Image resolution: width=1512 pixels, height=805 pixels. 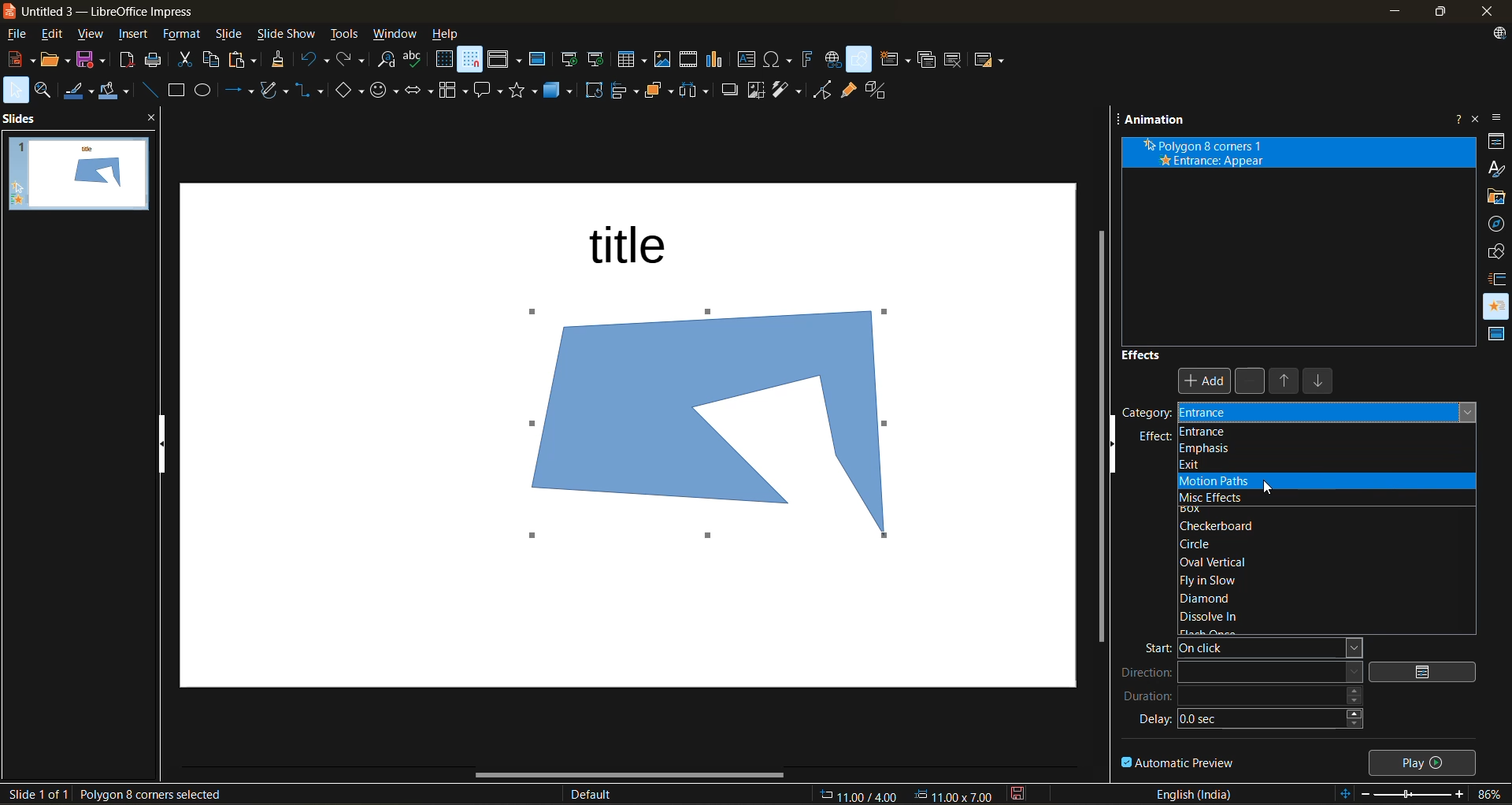 What do you see at coordinates (1490, 13) in the screenshot?
I see `close` at bounding box center [1490, 13].